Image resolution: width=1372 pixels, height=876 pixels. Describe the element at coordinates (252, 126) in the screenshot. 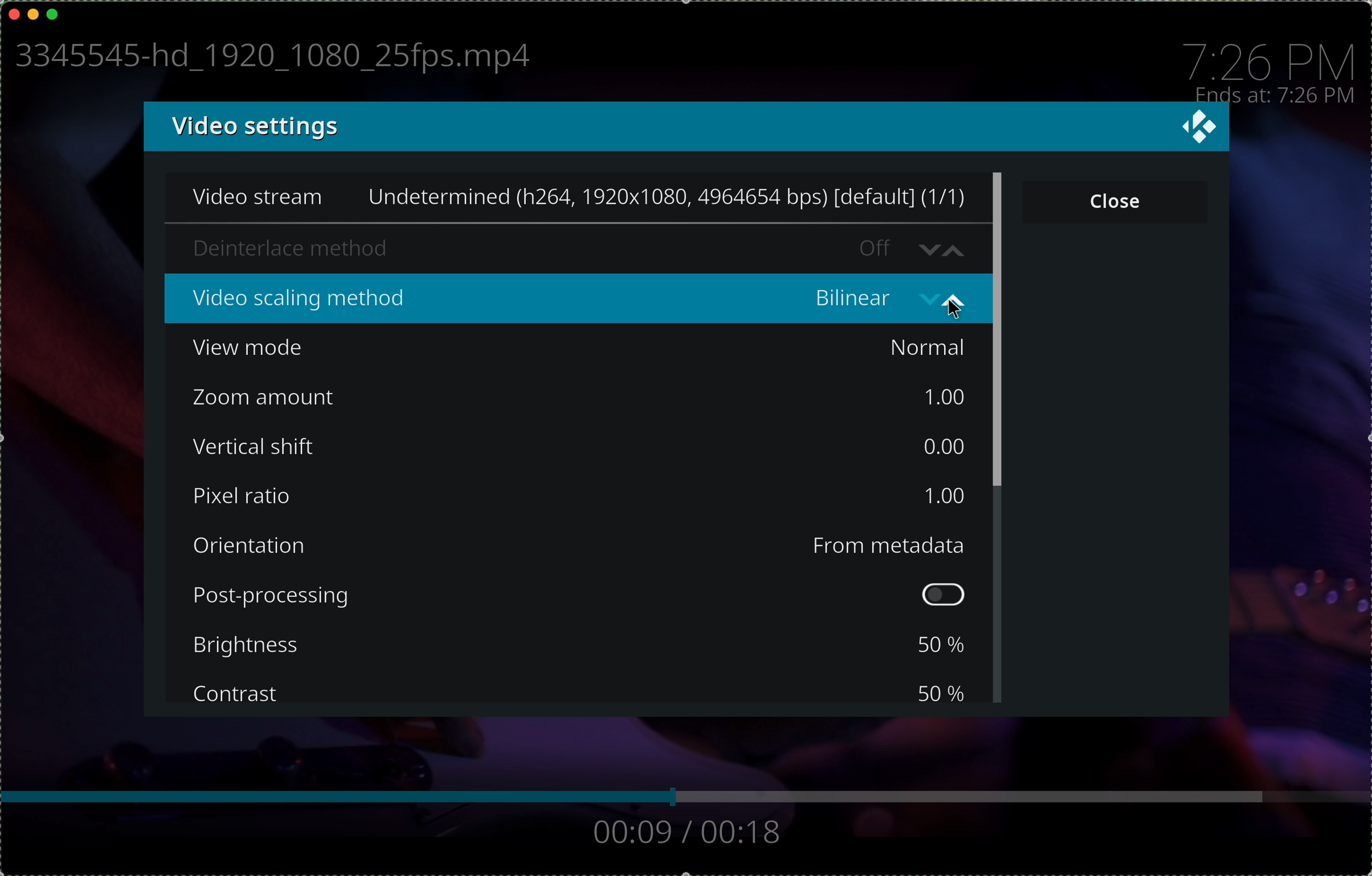

I see `video settings` at that location.